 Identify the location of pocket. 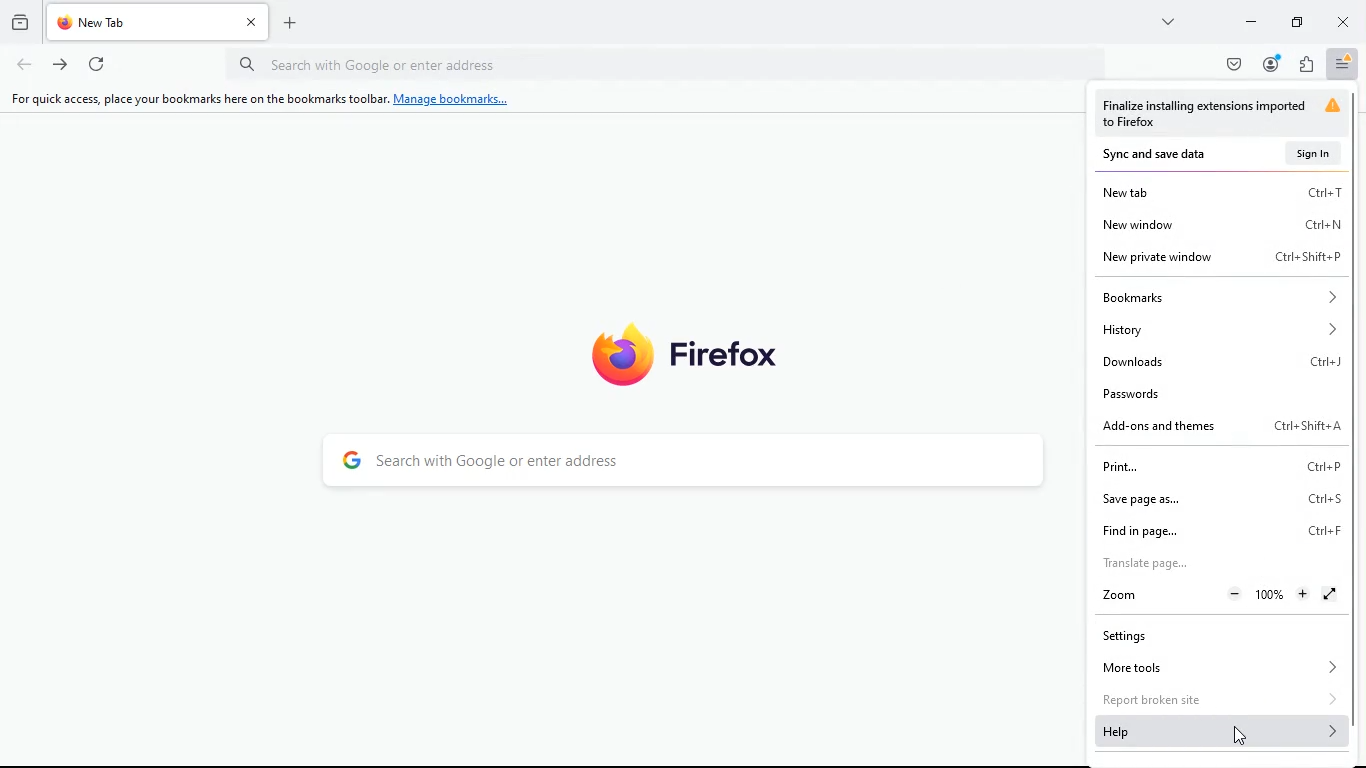
(1235, 64).